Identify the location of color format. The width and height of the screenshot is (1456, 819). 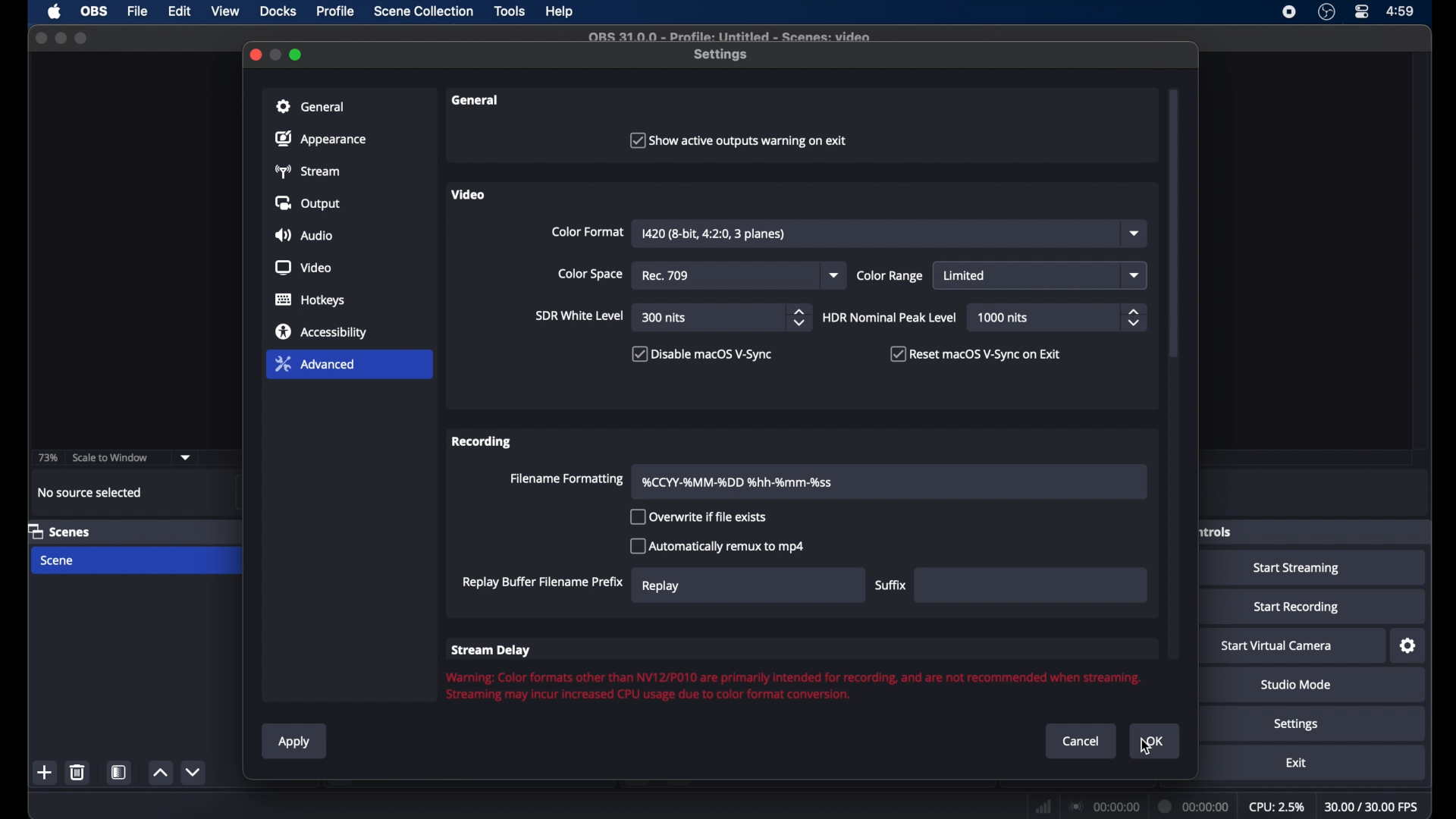
(586, 232).